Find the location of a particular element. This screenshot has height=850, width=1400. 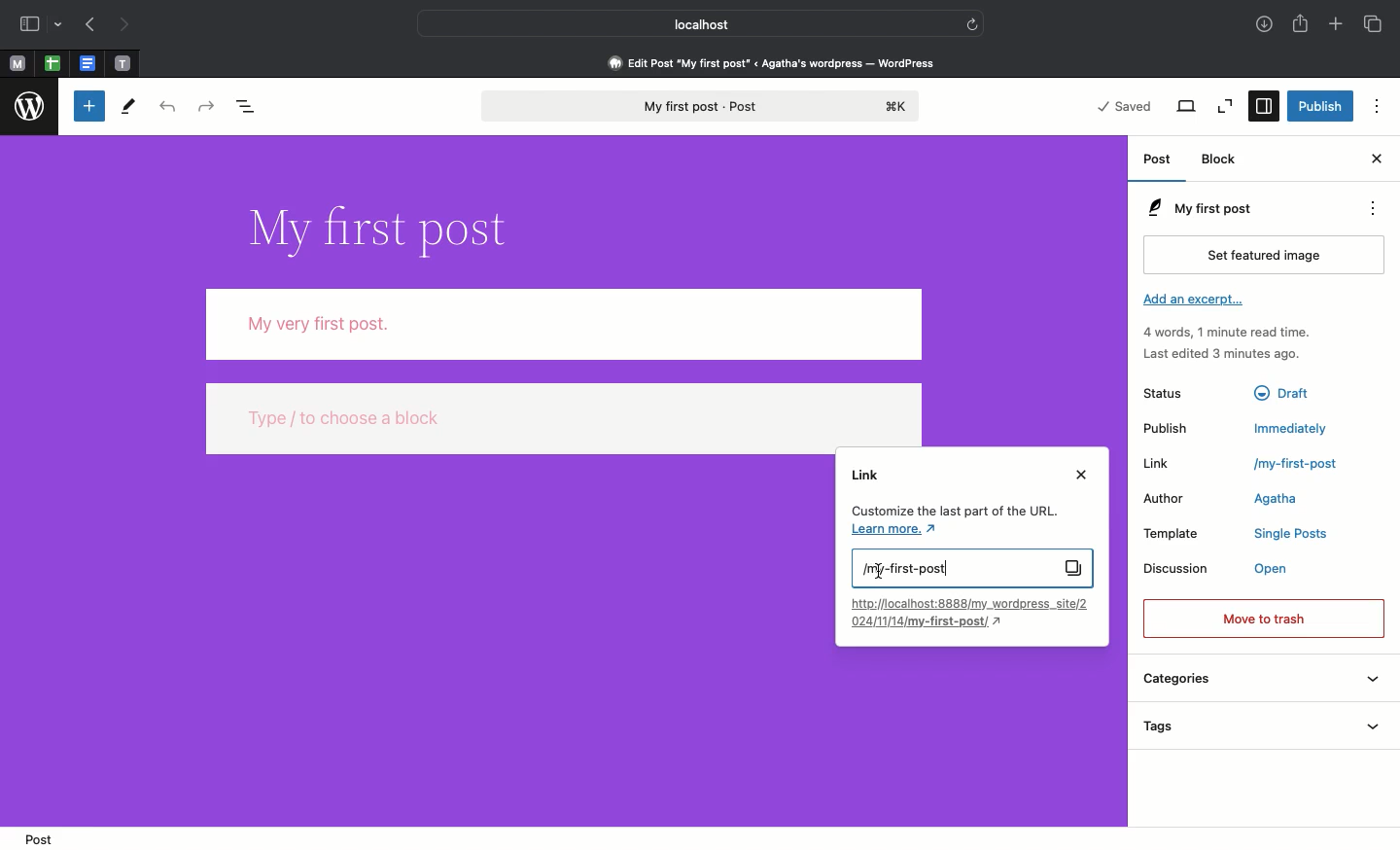

Edit post 'my first post' < agatha's wordpress - wordpress is located at coordinates (772, 62).